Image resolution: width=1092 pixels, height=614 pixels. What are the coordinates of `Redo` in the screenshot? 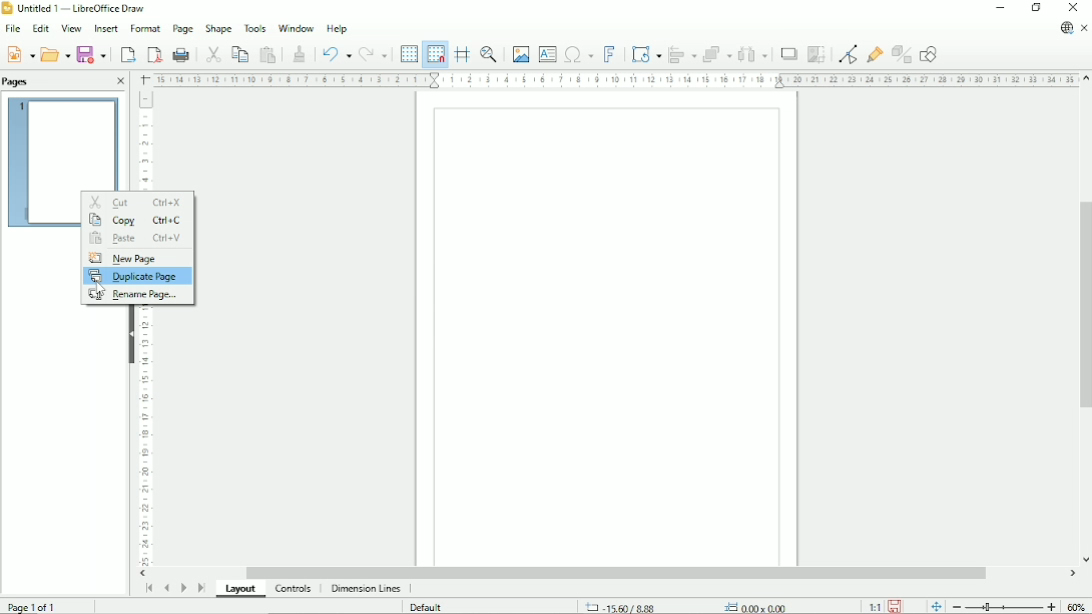 It's located at (373, 55).